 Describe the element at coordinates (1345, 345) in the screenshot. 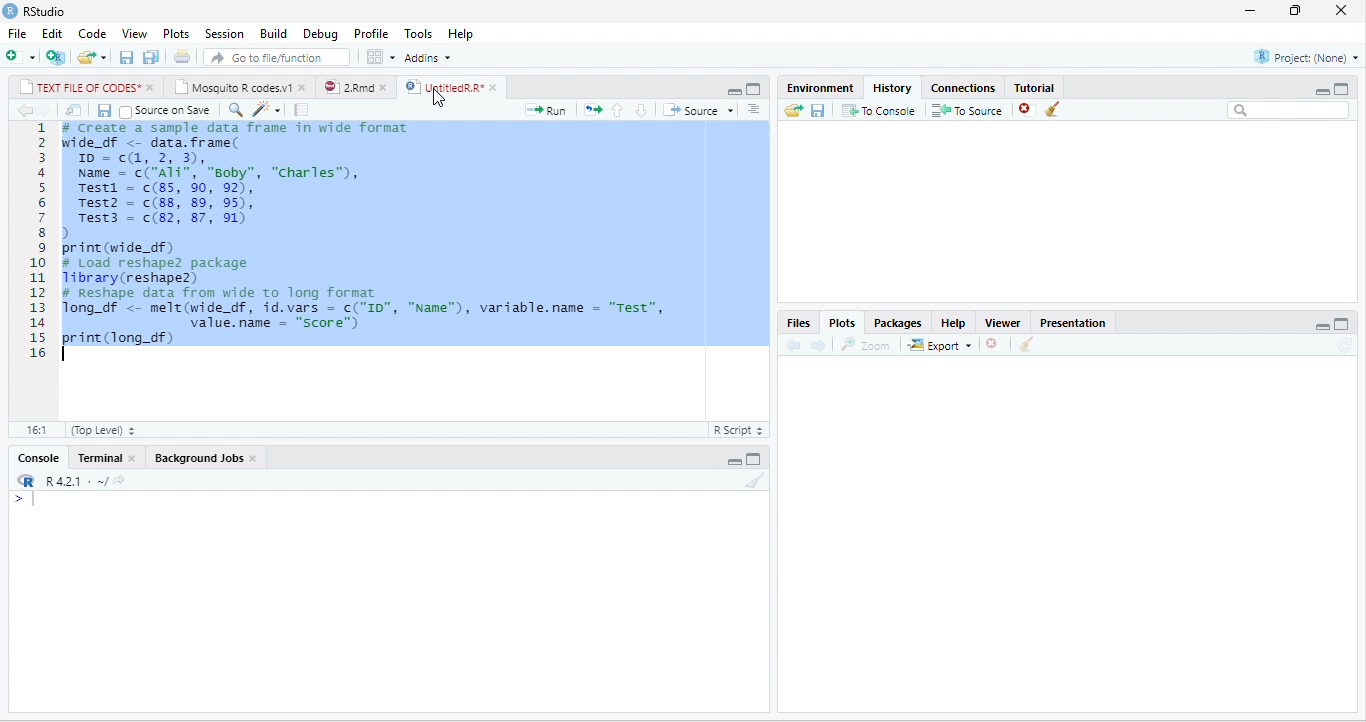

I see `refresh` at that location.